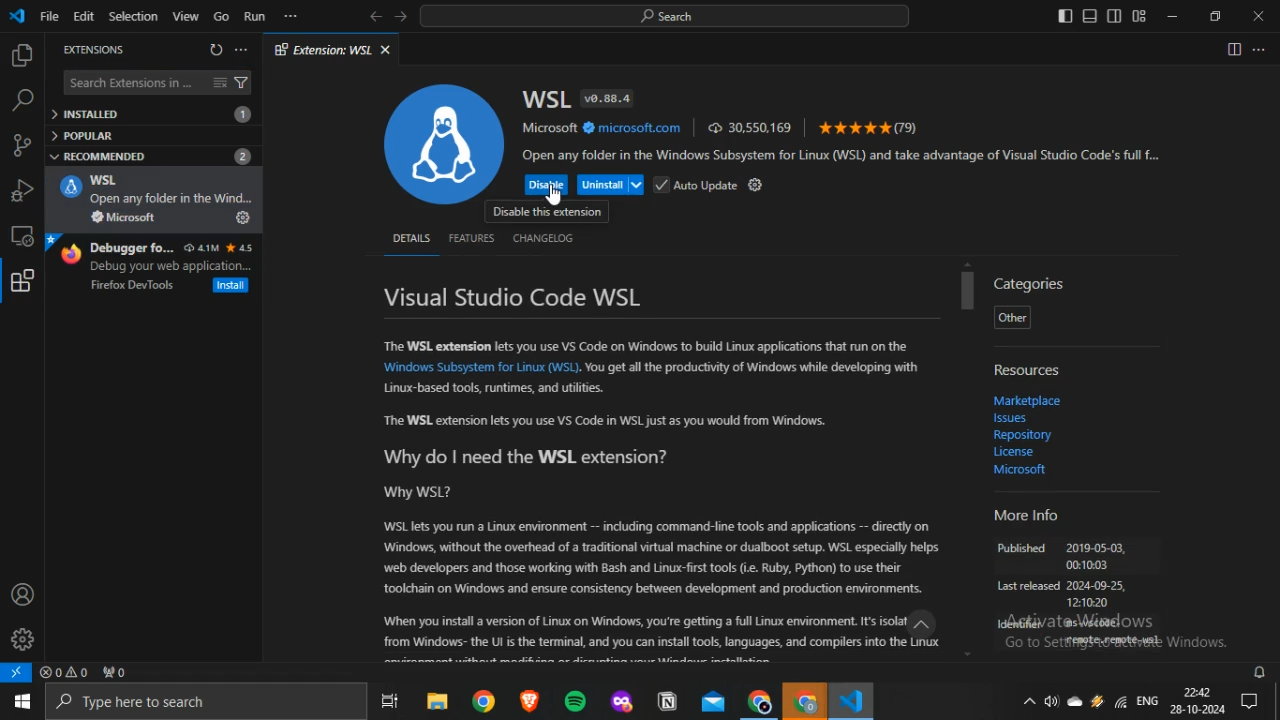 The width and height of the screenshot is (1280, 720). I want to click on start, so click(21, 702).